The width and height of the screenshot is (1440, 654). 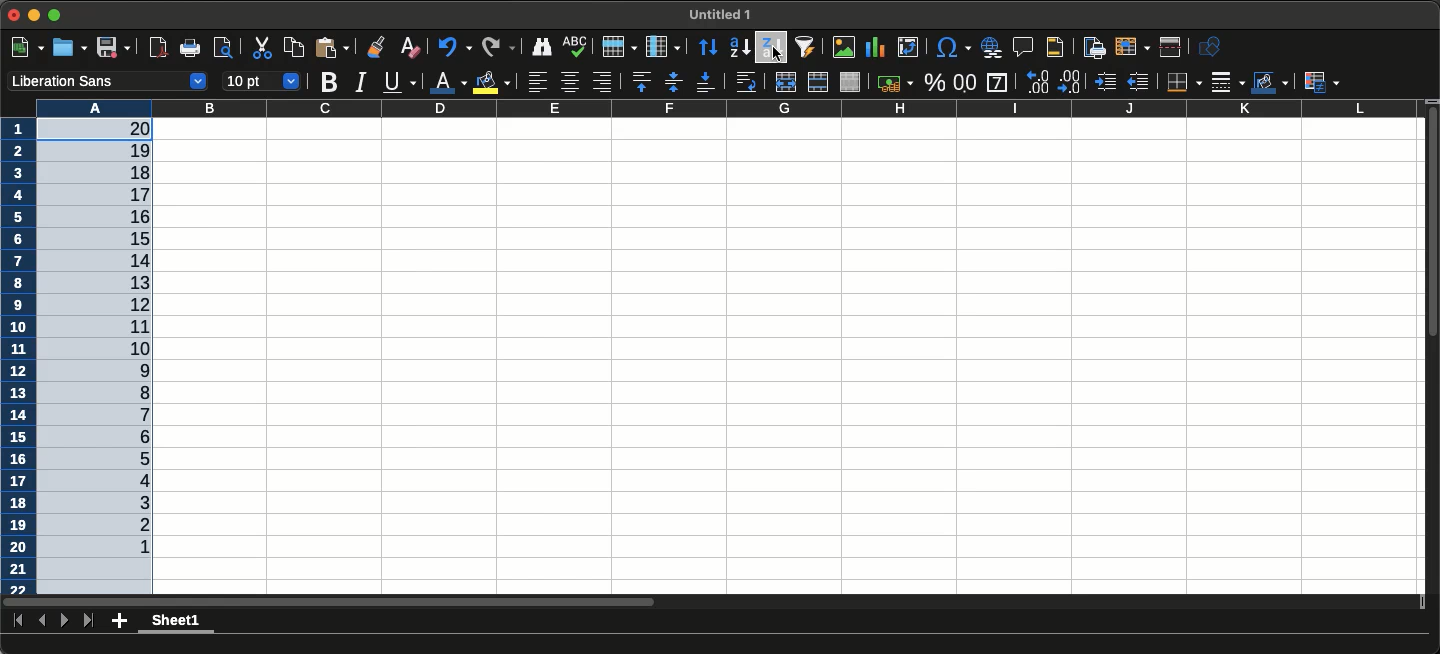 What do you see at coordinates (746, 83) in the screenshot?
I see `Wrap text` at bounding box center [746, 83].